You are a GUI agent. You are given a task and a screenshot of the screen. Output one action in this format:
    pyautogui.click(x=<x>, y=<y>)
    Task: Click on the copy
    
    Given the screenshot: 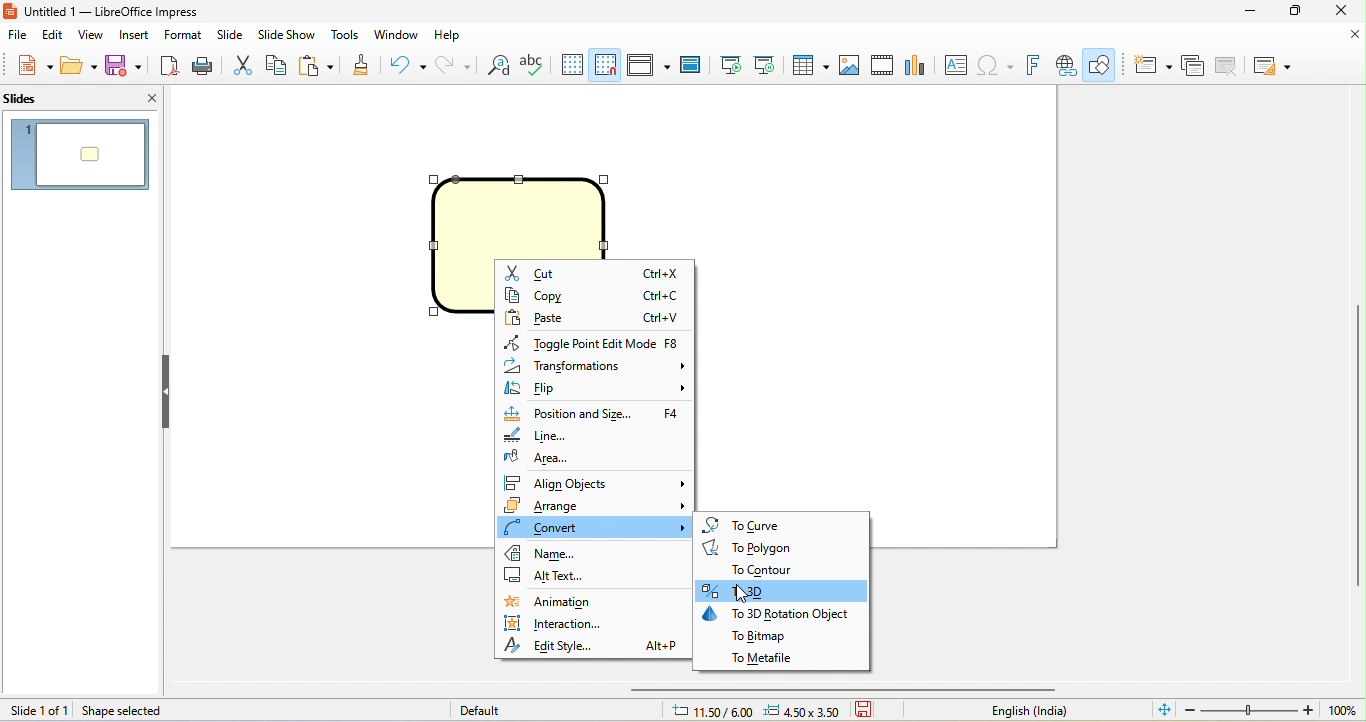 What is the action you would take?
    pyautogui.click(x=276, y=64)
    